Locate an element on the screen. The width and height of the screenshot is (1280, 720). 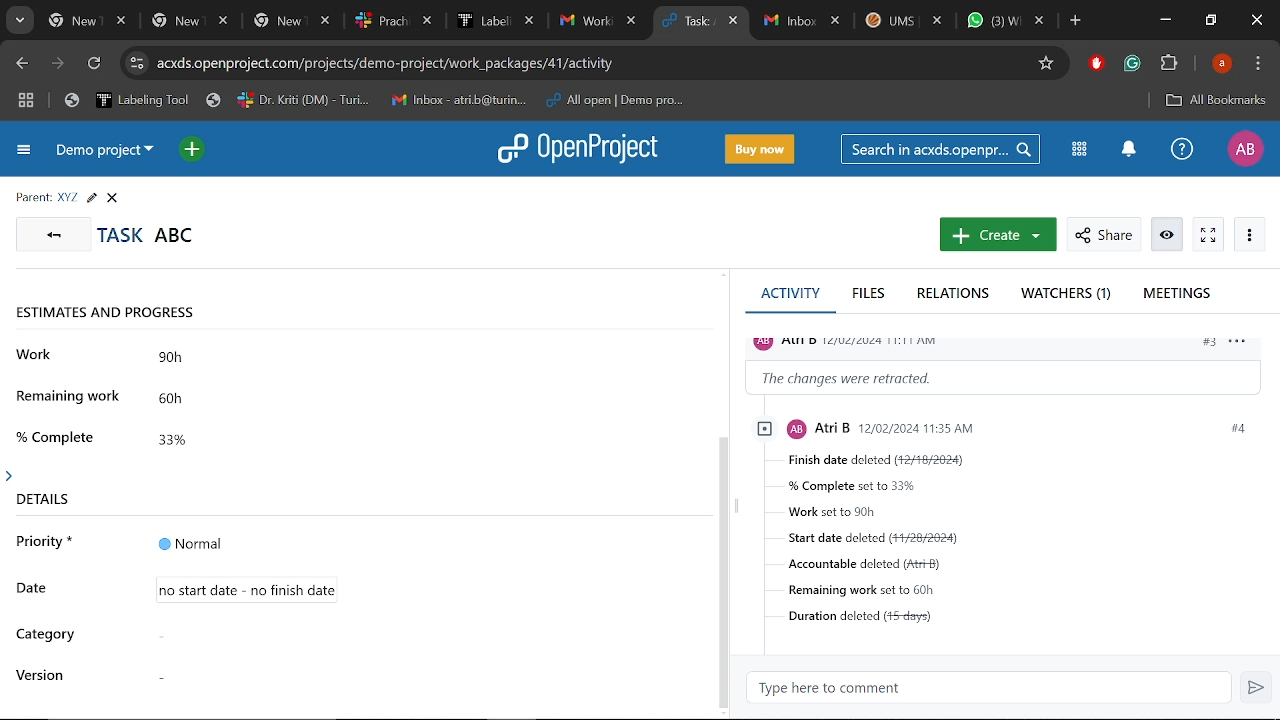
90h is located at coordinates (203, 360).